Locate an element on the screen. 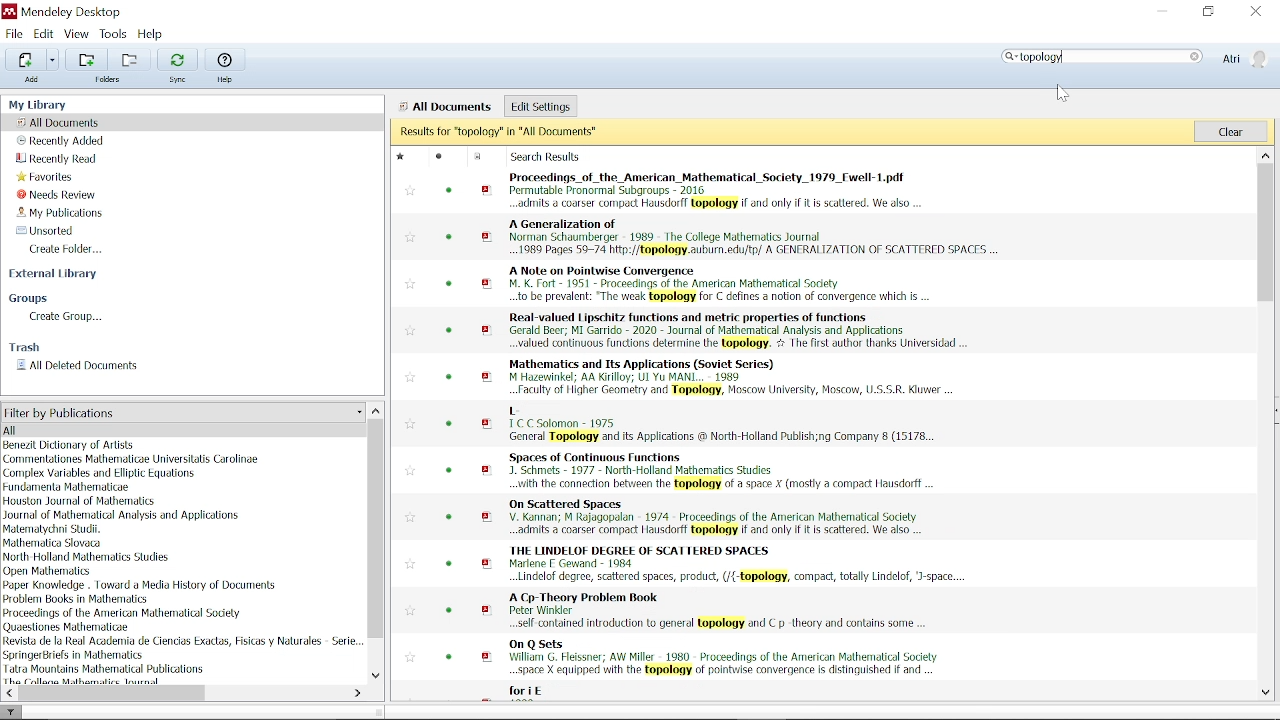 The width and height of the screenshot is (1280, 720). All deleted documents is located at coordinates (78, 366).